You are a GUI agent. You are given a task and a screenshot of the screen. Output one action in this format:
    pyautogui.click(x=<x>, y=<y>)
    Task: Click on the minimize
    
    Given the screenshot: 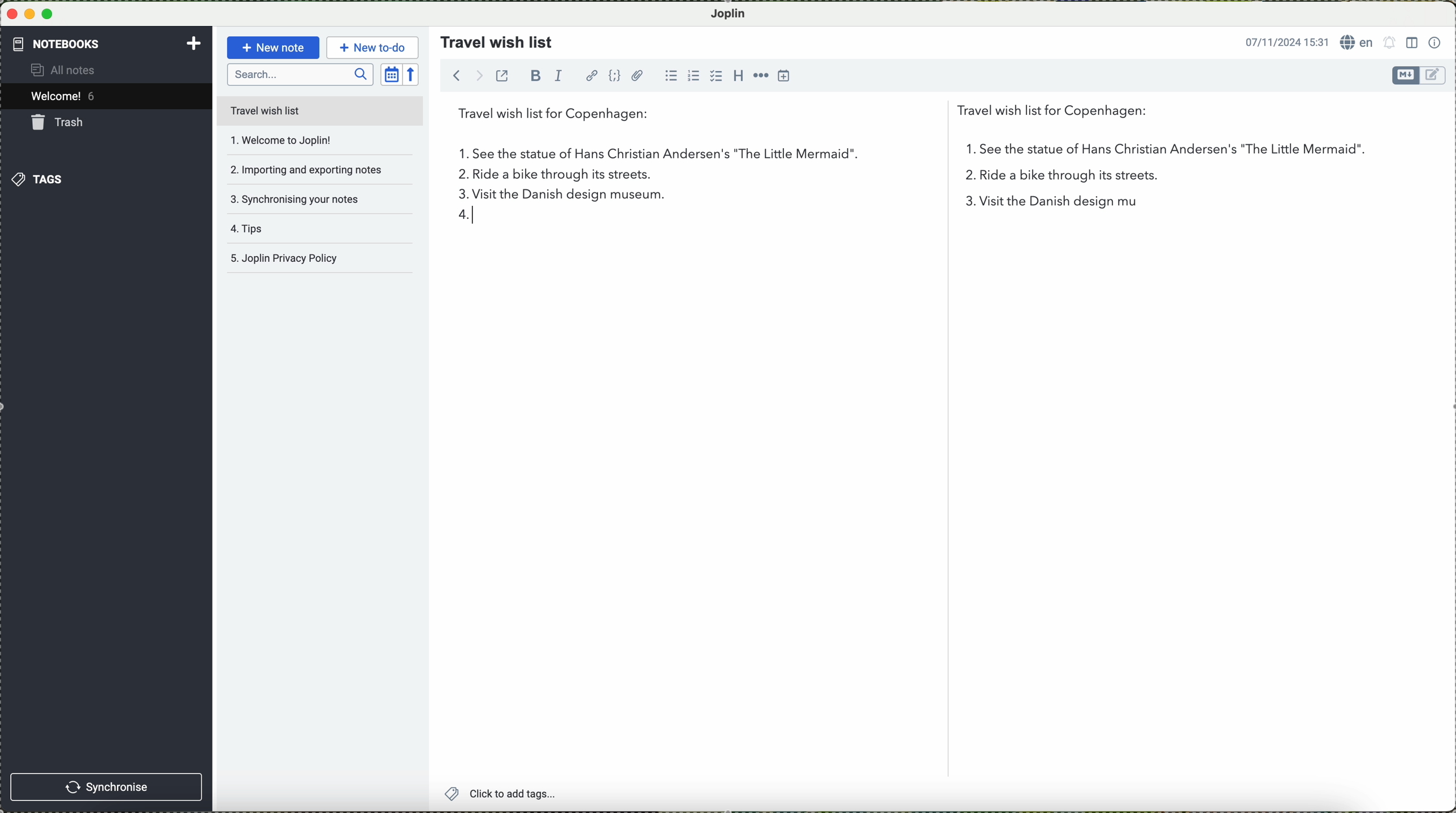 What is the action you would take?
    pyautogui.click(x=31, y=14)
    